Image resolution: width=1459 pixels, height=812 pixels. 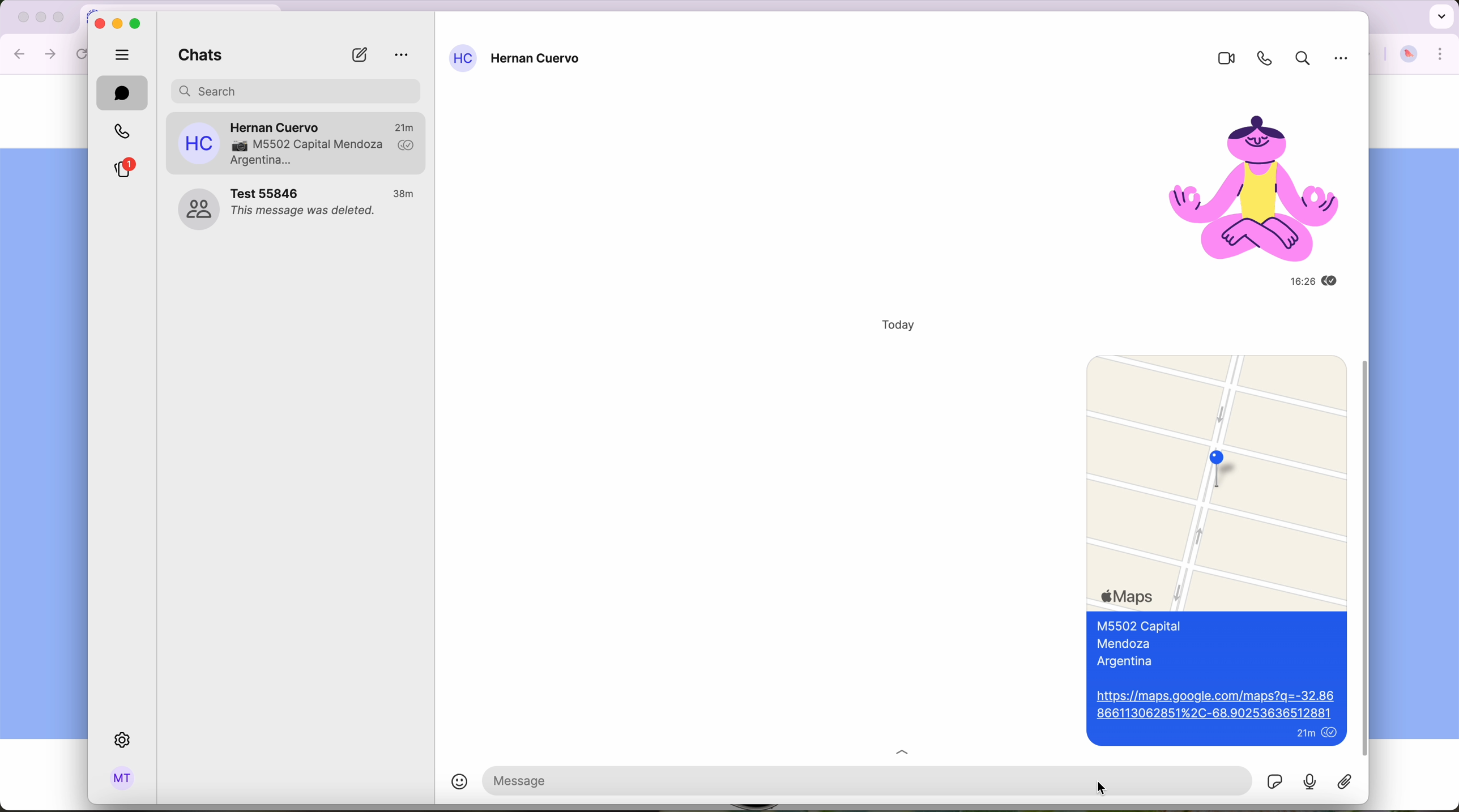 What do you see at coordinates (237, 146) in the screenshot?
I see `camera emoji` at bounding box center [237, 146].